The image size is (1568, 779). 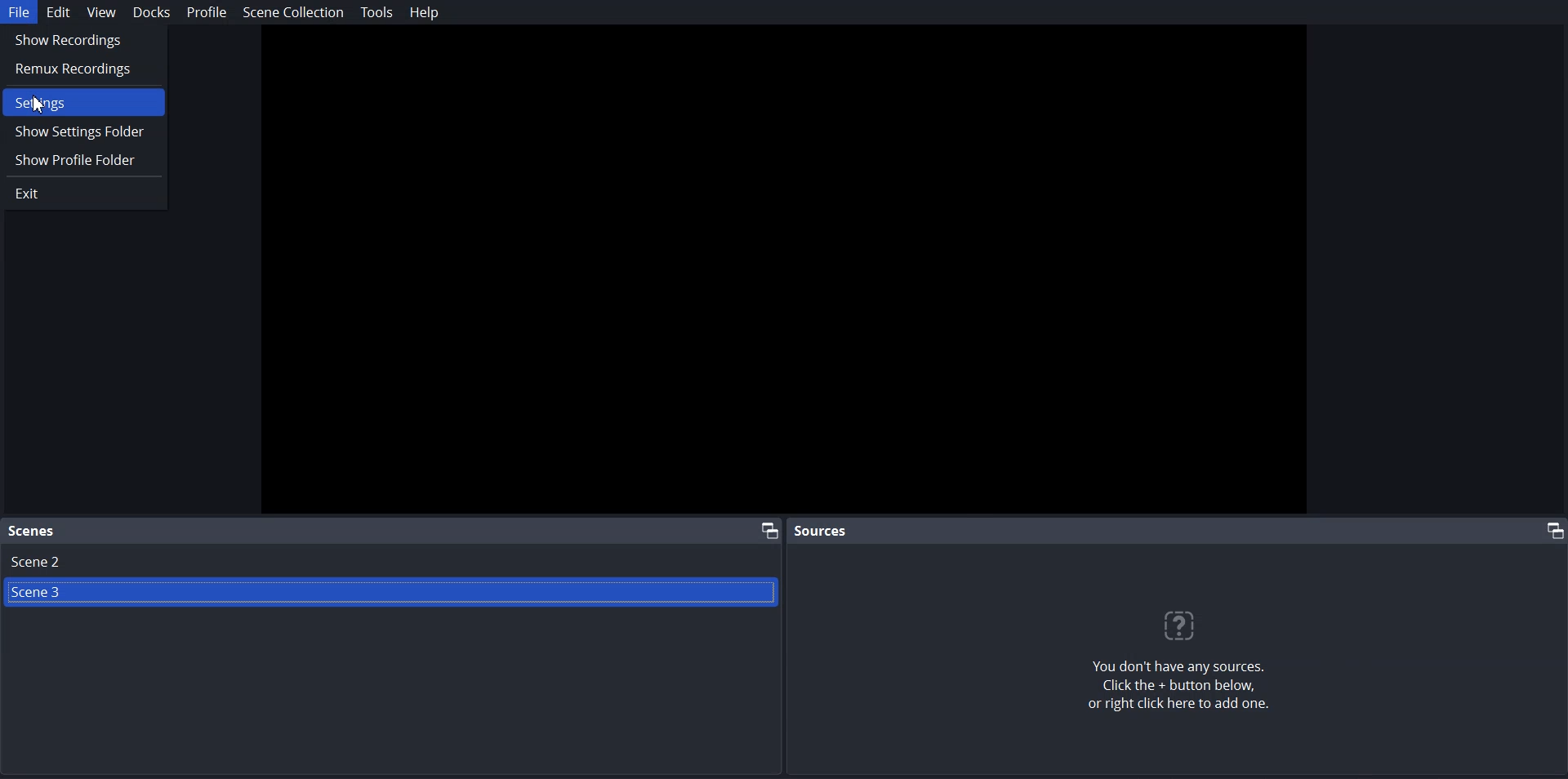 What do you see at coordinates (82, 68) in the screenshot?
I see `Remux Recordings` at bounding box center [82, 68].